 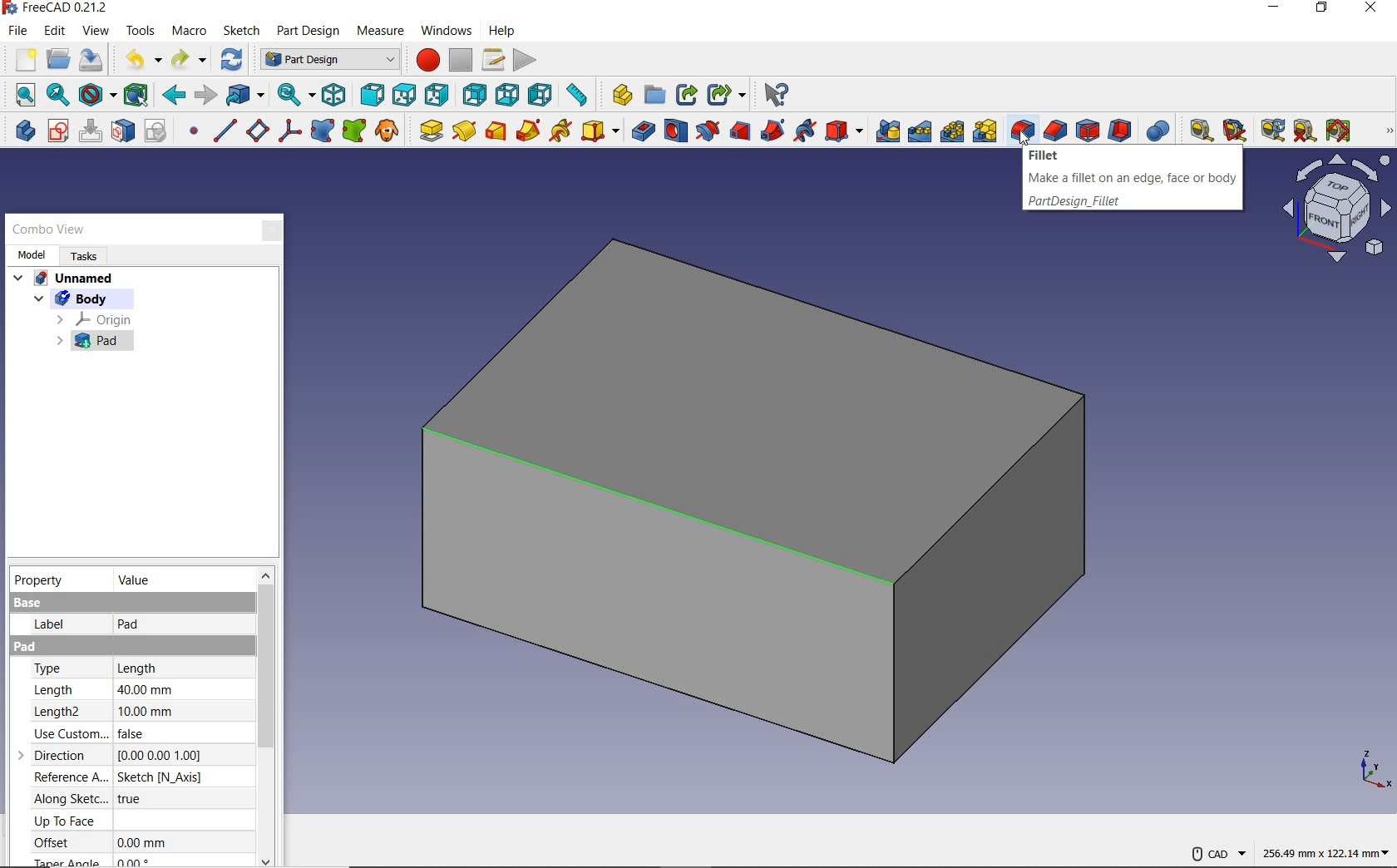 I want to click on Boolean operation, so click(x=1160, y=131).